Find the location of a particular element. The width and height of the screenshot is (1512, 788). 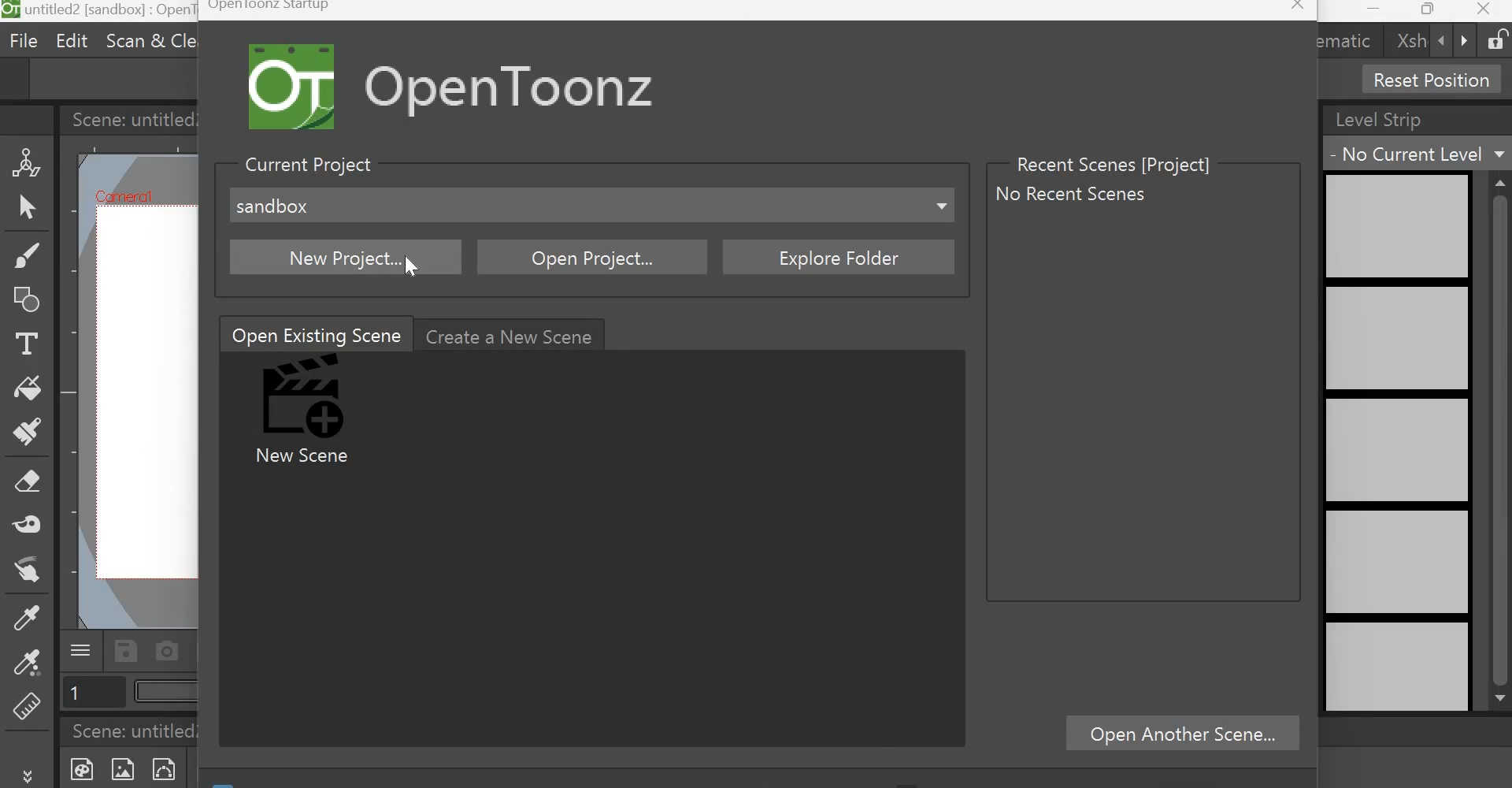

Recent Scenes [Project] is located at coordinates (1114, 158).